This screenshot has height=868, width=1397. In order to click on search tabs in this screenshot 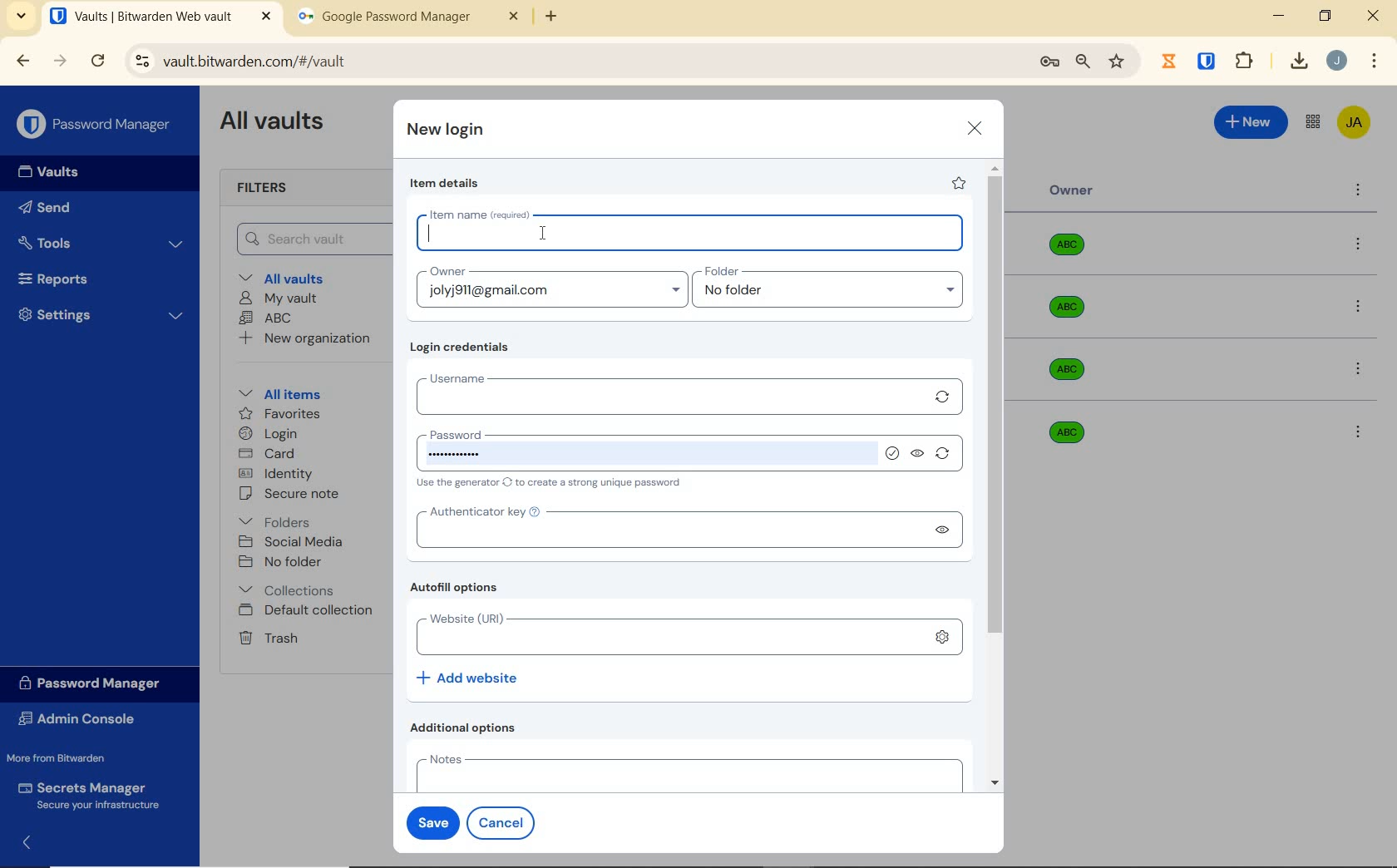, I will do `click(21, 18)`.